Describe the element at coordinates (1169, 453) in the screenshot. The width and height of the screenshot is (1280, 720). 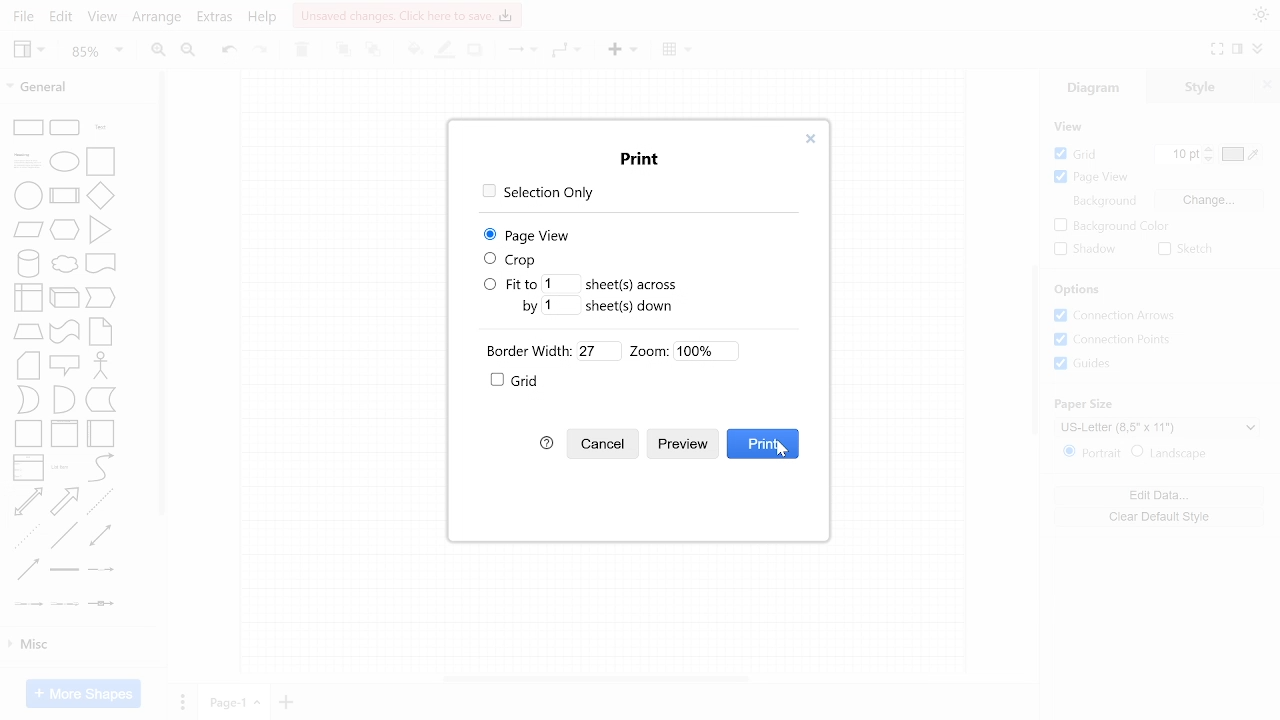
I see `Landscape` at that location.